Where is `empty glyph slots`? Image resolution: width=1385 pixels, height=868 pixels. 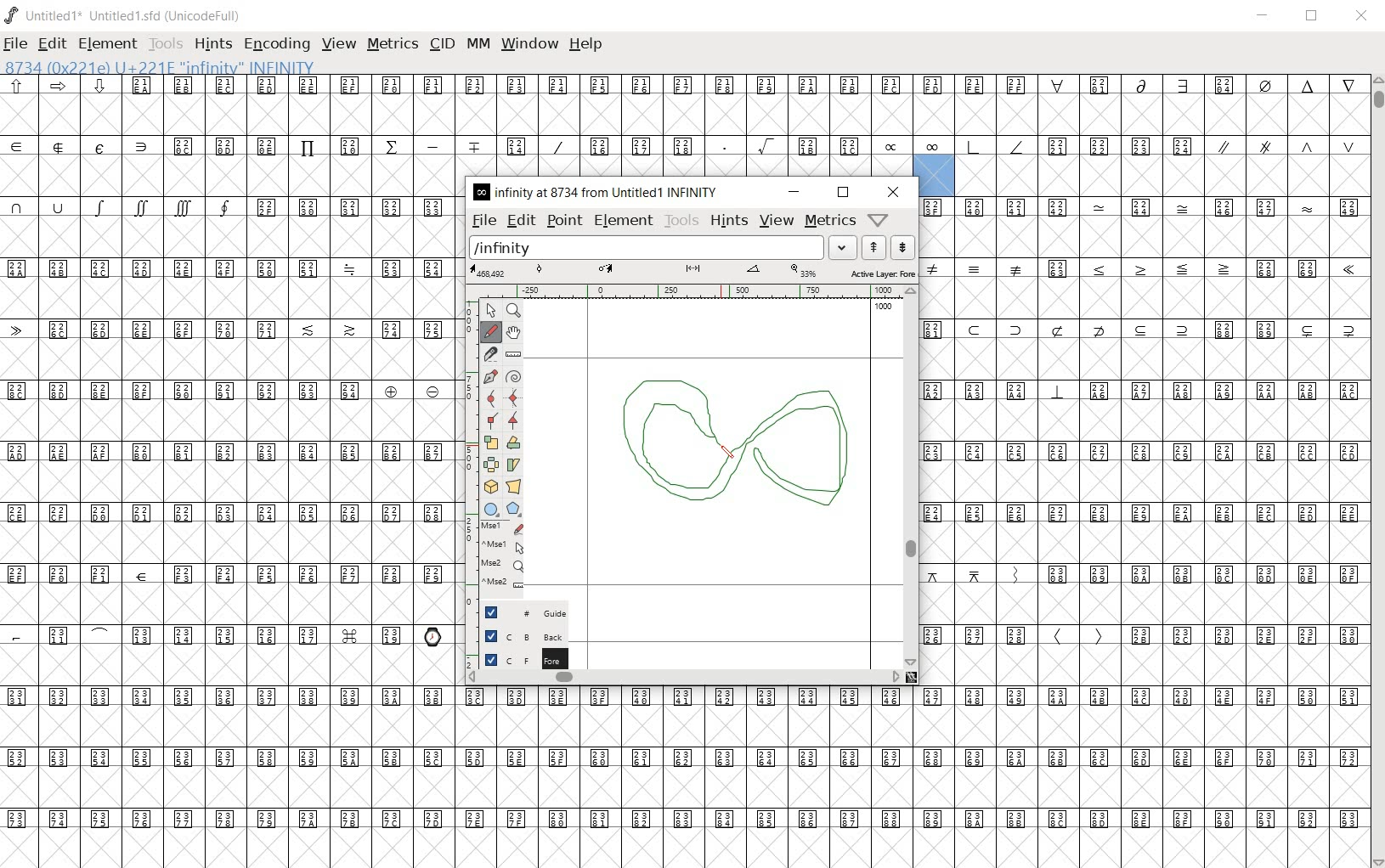 empty glyph slots is located at coordinates (234, 358).